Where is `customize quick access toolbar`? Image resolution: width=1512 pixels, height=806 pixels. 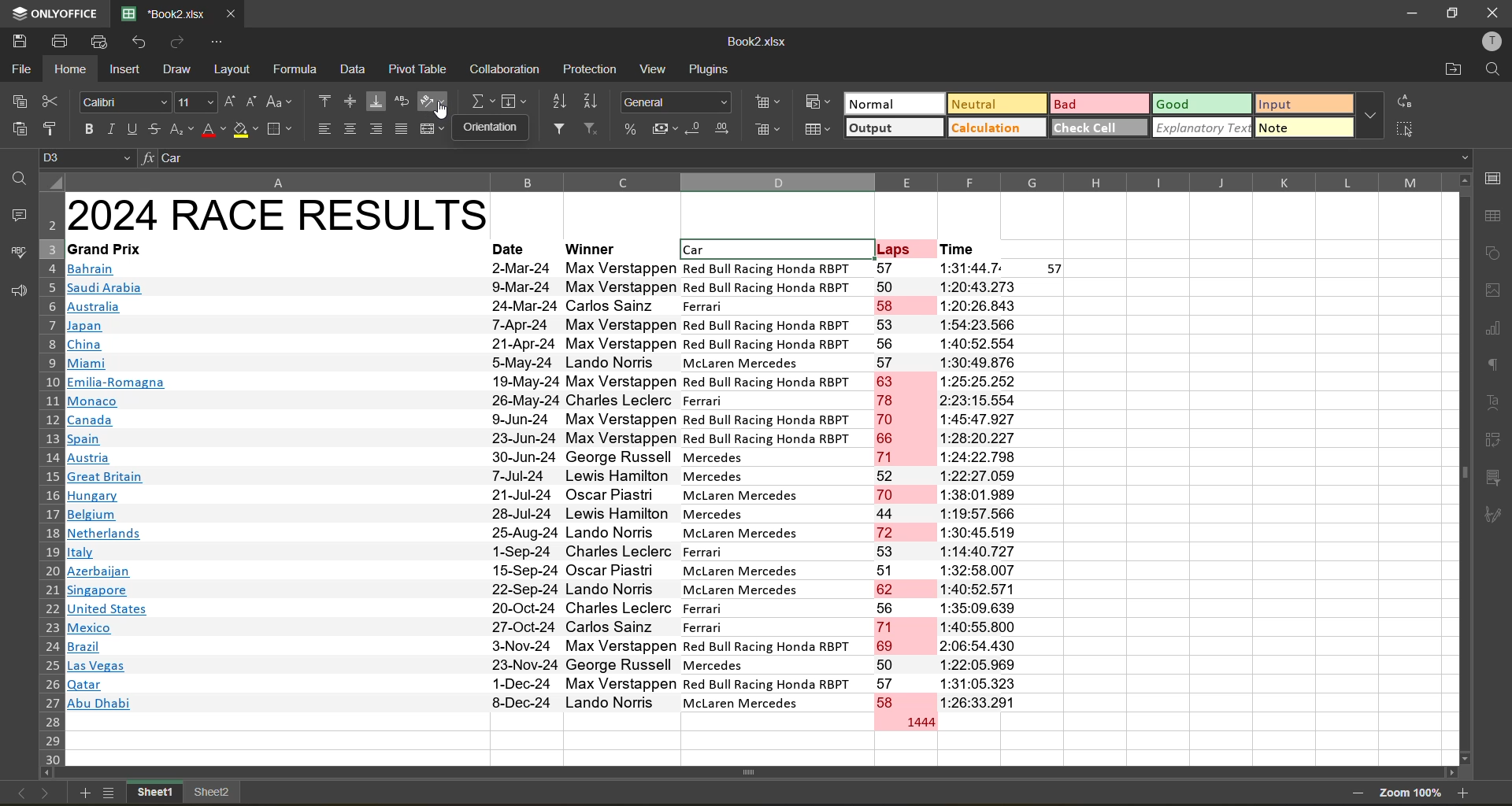
customize quick access toolbar is located at coordinates (211, 42).